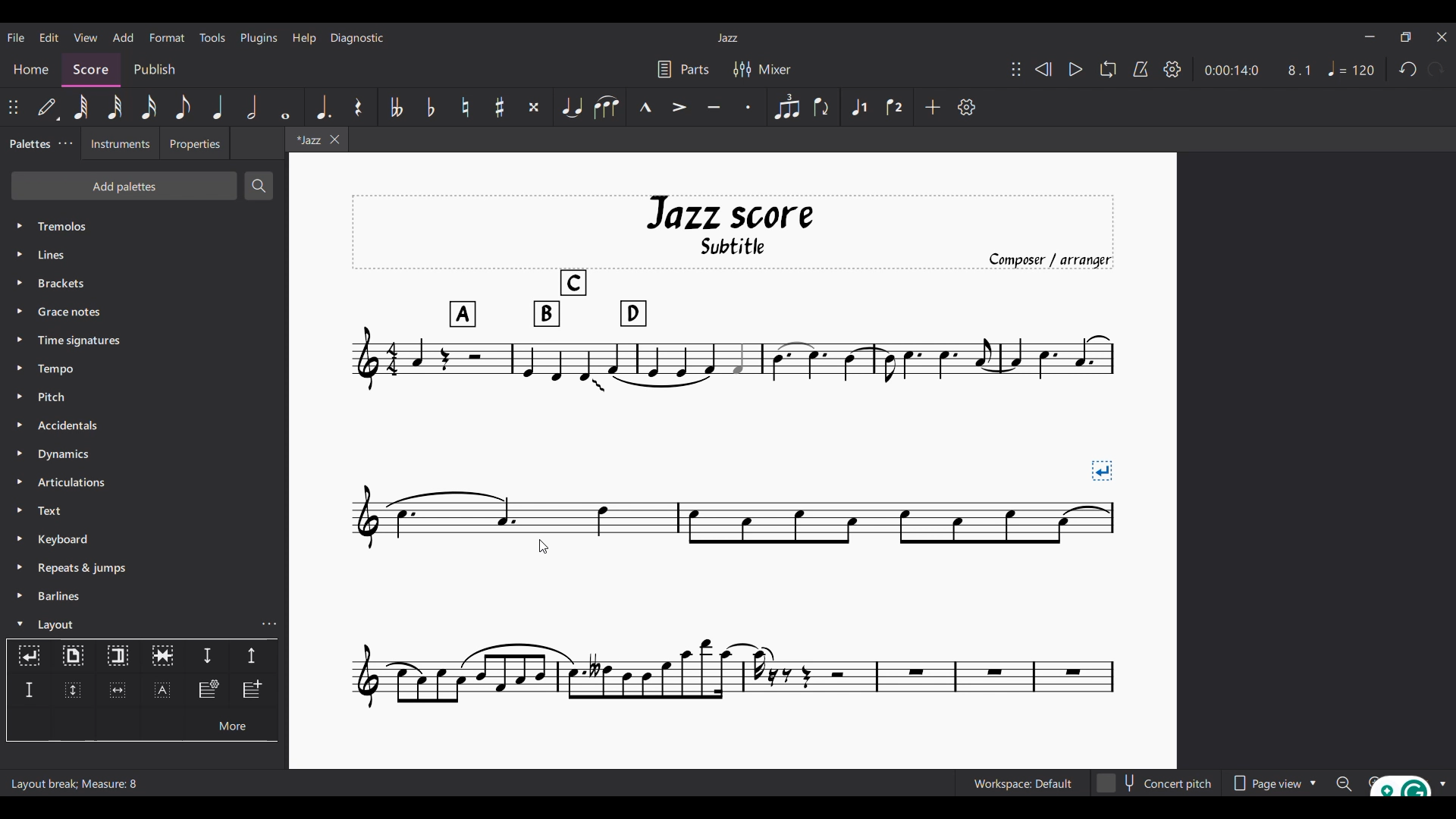 The width and height of the screenshot is (1456, 819). Describe the element at coordinates (29, 656) in the screenshot. I see `System break, highlighted as current selection` at that location.